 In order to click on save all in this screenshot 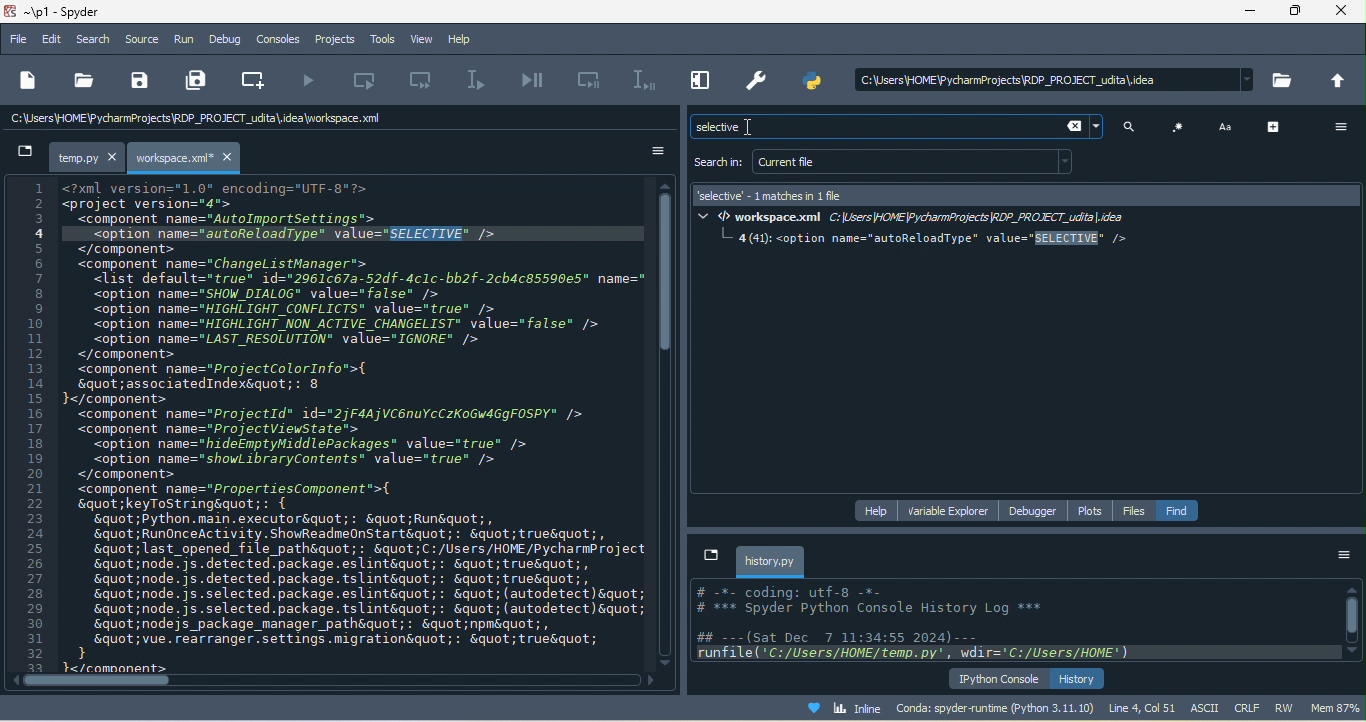, I will do `click(199, 81)`.